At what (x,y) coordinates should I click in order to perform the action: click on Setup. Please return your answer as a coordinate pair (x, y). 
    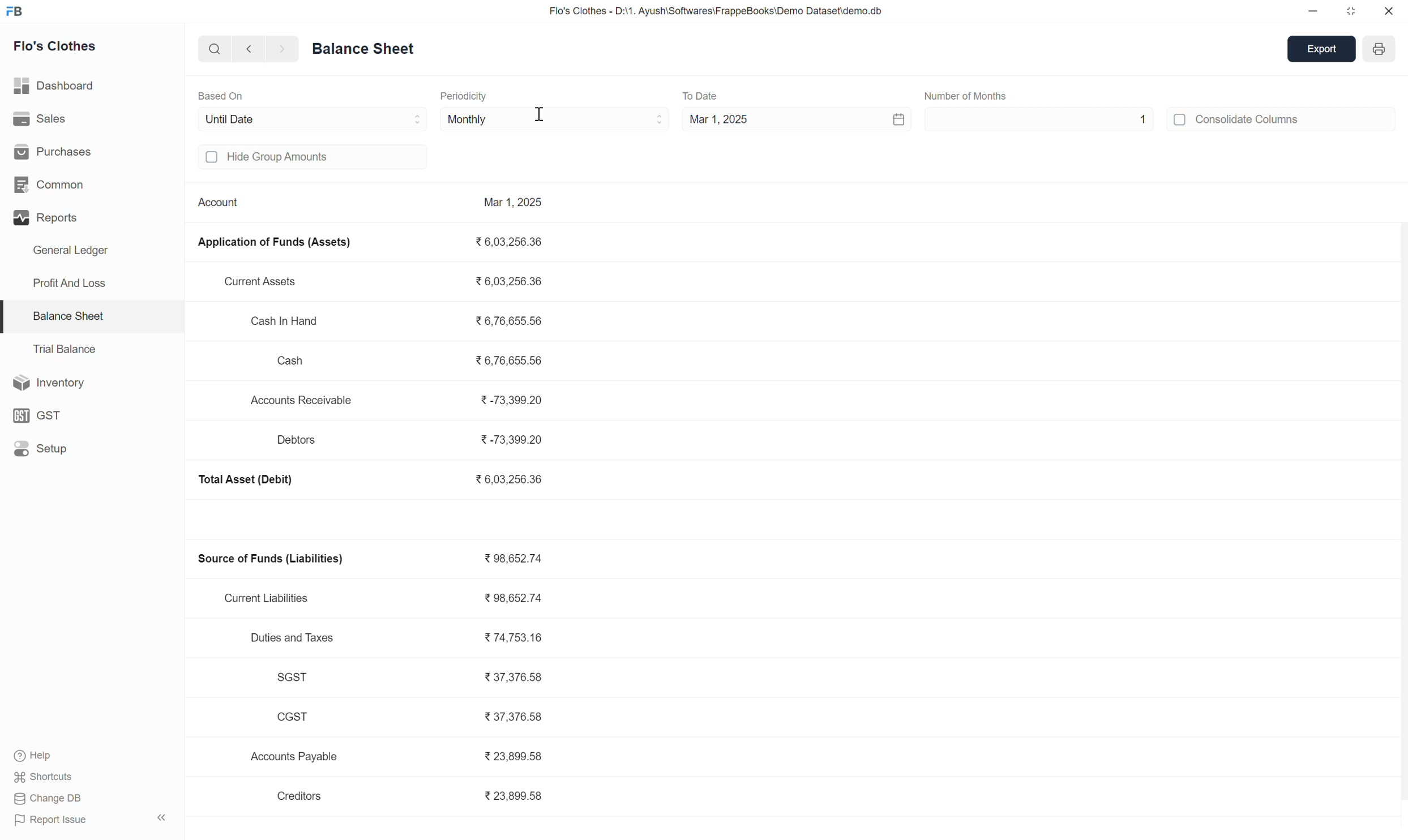
    Looking at the image, I should click on (45, 448).